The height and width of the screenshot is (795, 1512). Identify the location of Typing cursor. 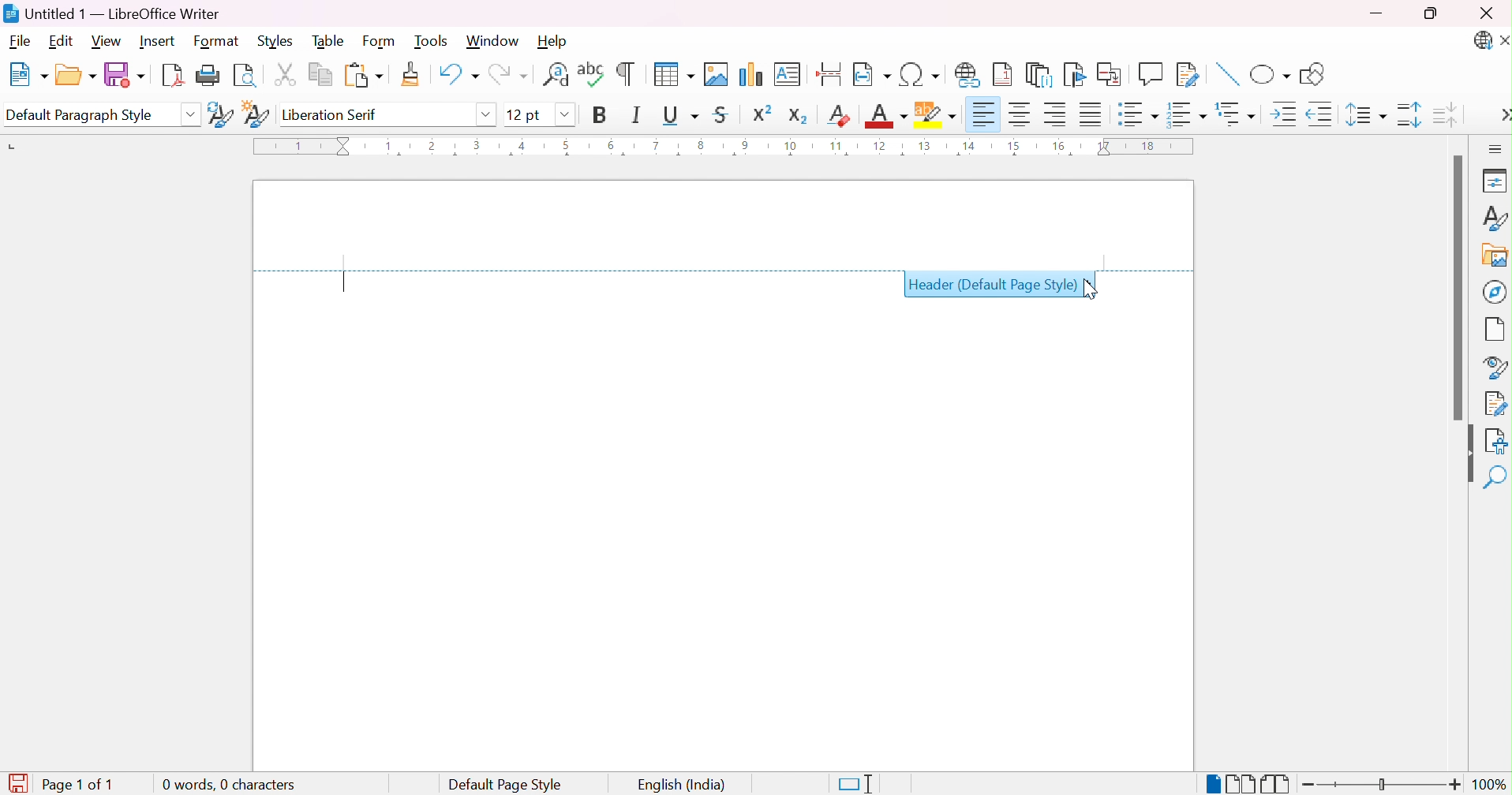
(345, 283).